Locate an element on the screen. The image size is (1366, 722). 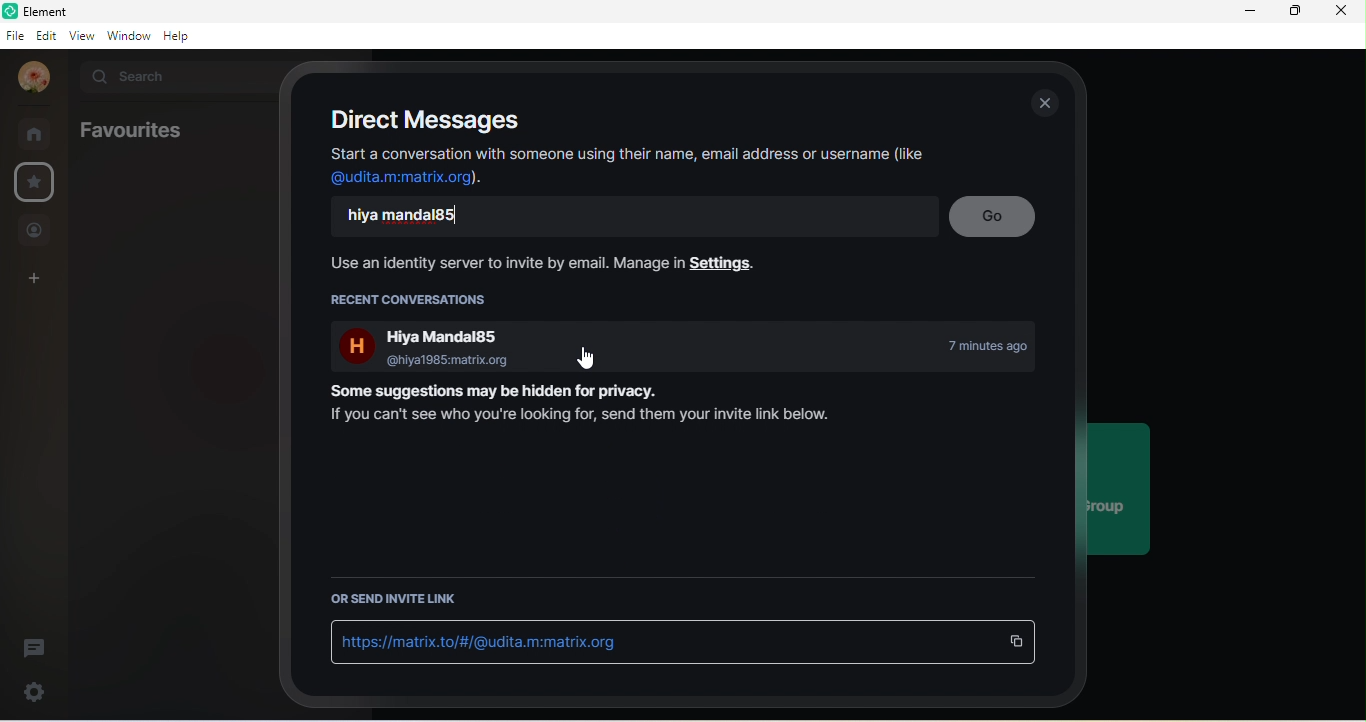
hiya mandal85 is located at coordinates (424, 215).